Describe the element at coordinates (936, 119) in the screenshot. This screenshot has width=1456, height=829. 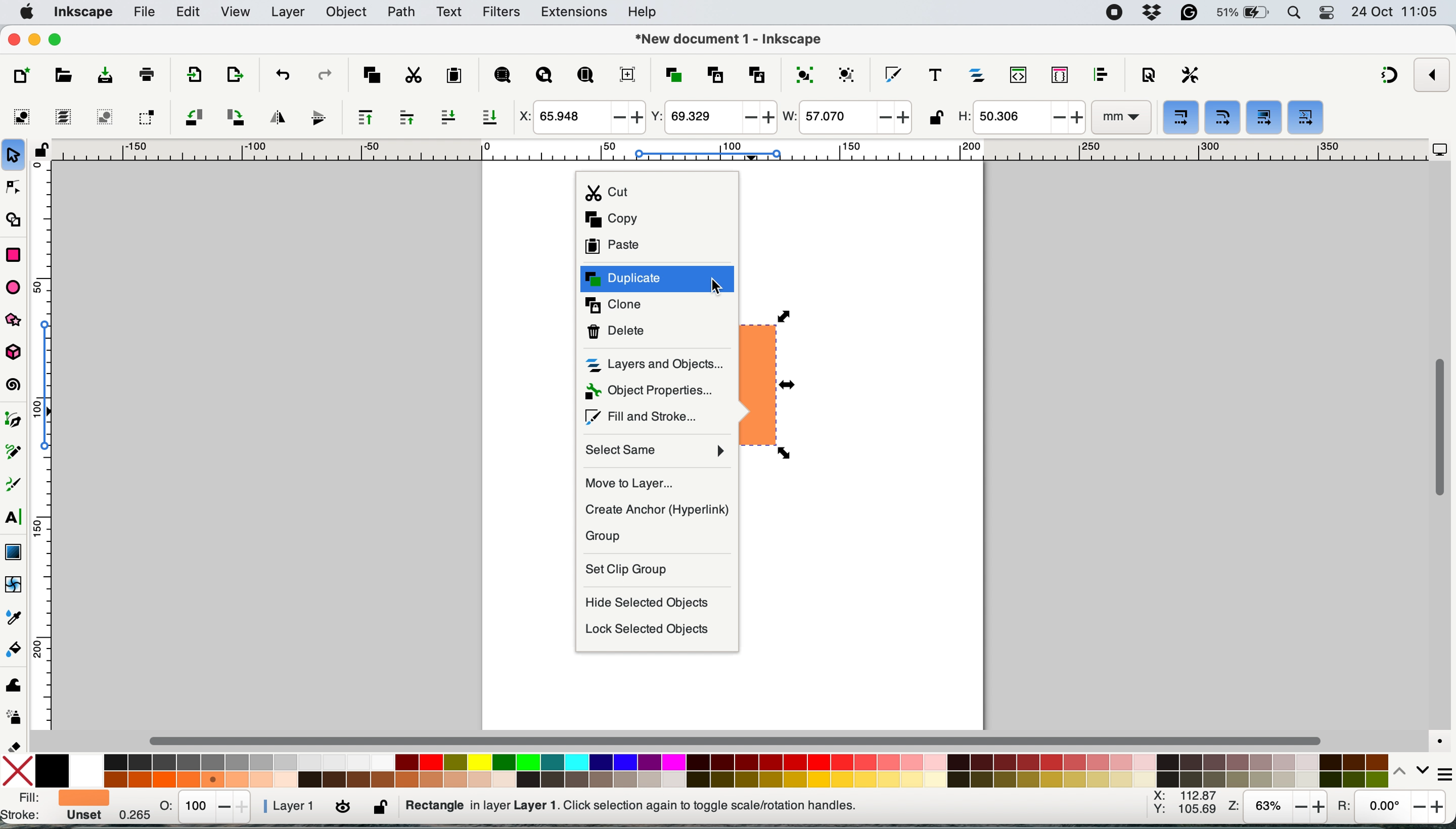
I see `lock unlock` at that location.